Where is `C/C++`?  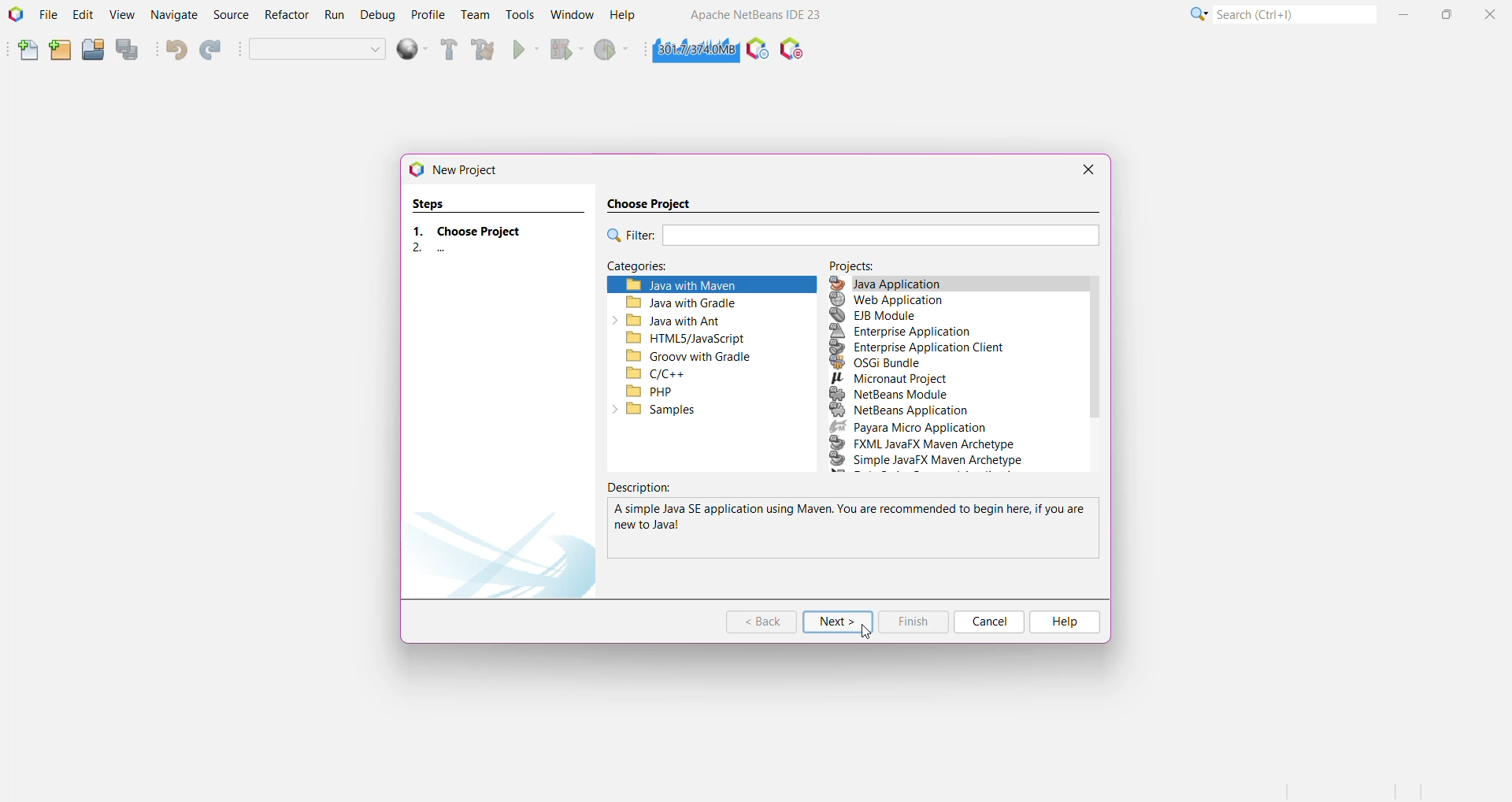 C/C++ is located at coordinates (713, 373).